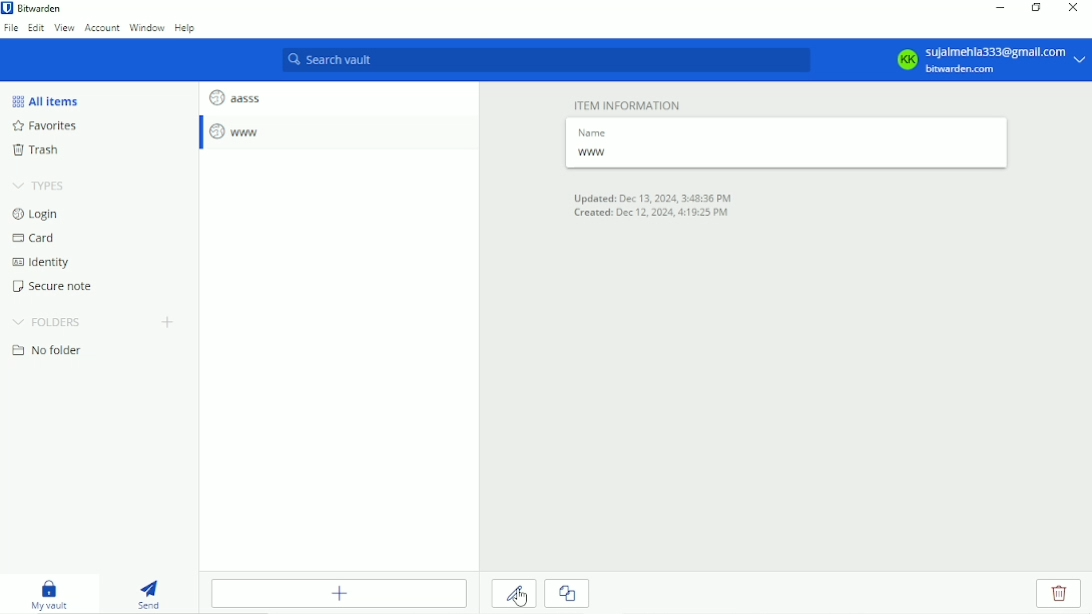 The width and height of the screenshot is (1092, 614). What do you see at coordinates (170, 322) in the screenshot?
I see `Create folder` at bounding box center [170, 322].